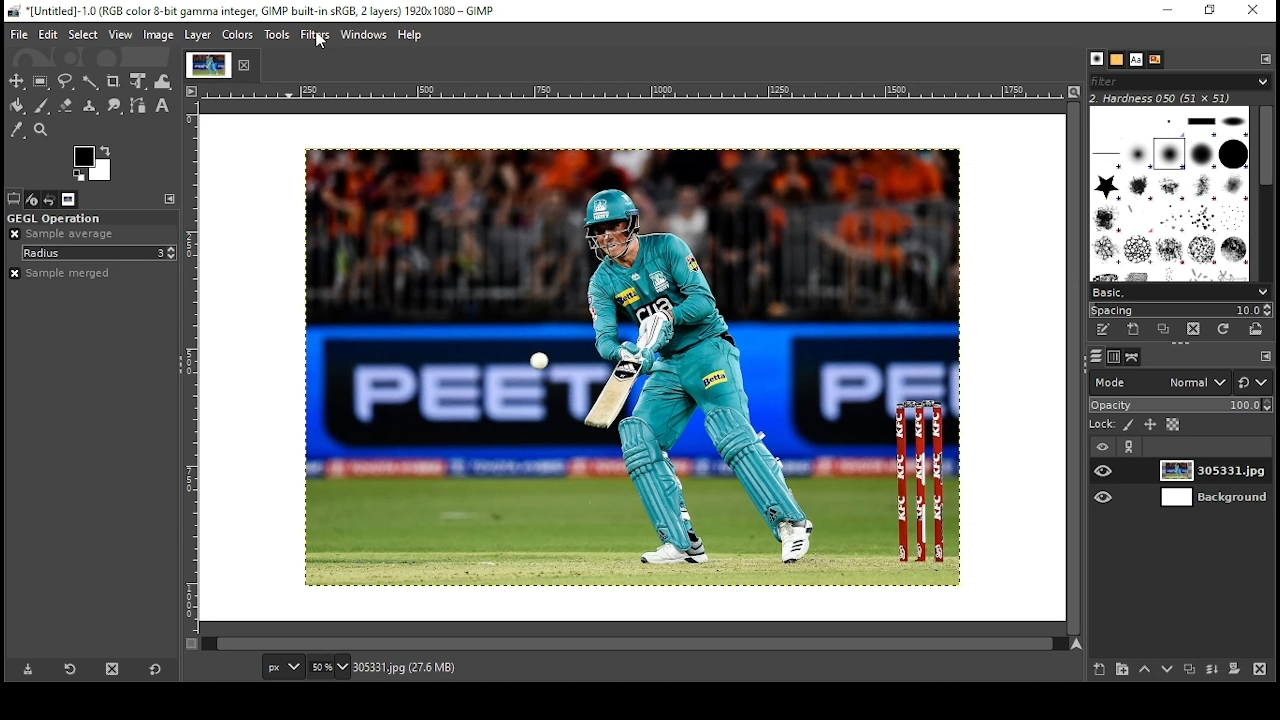 The width and height of the screenshot is (1280, 720). Describe the element at coordinates (1175, 98) in the screenshot. I see `hardness 050` at that location.